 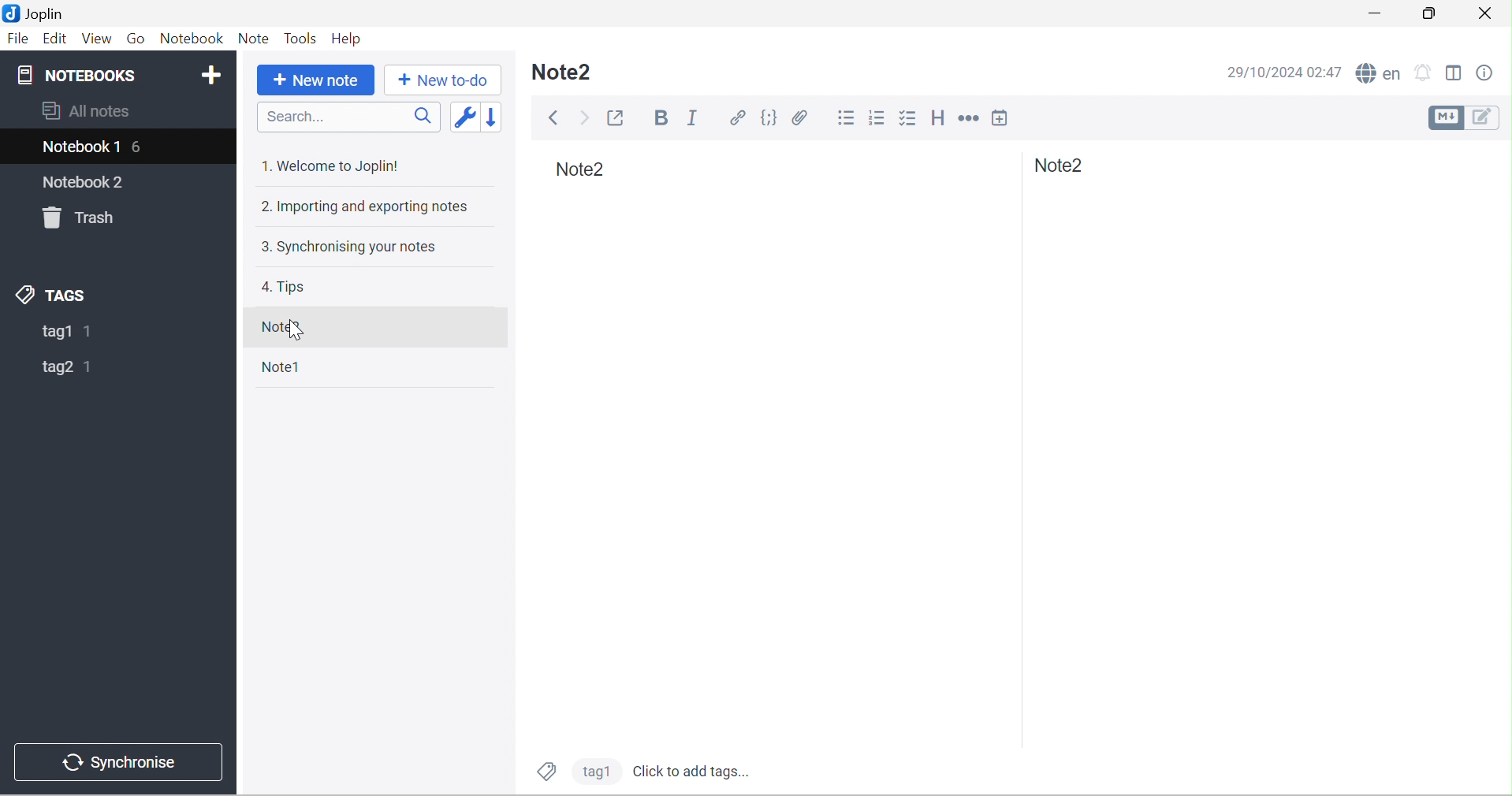 What do you see at coordinates (1059, 168) in the screenshot?
I see `Note2` at bounding box center [1059, 168].